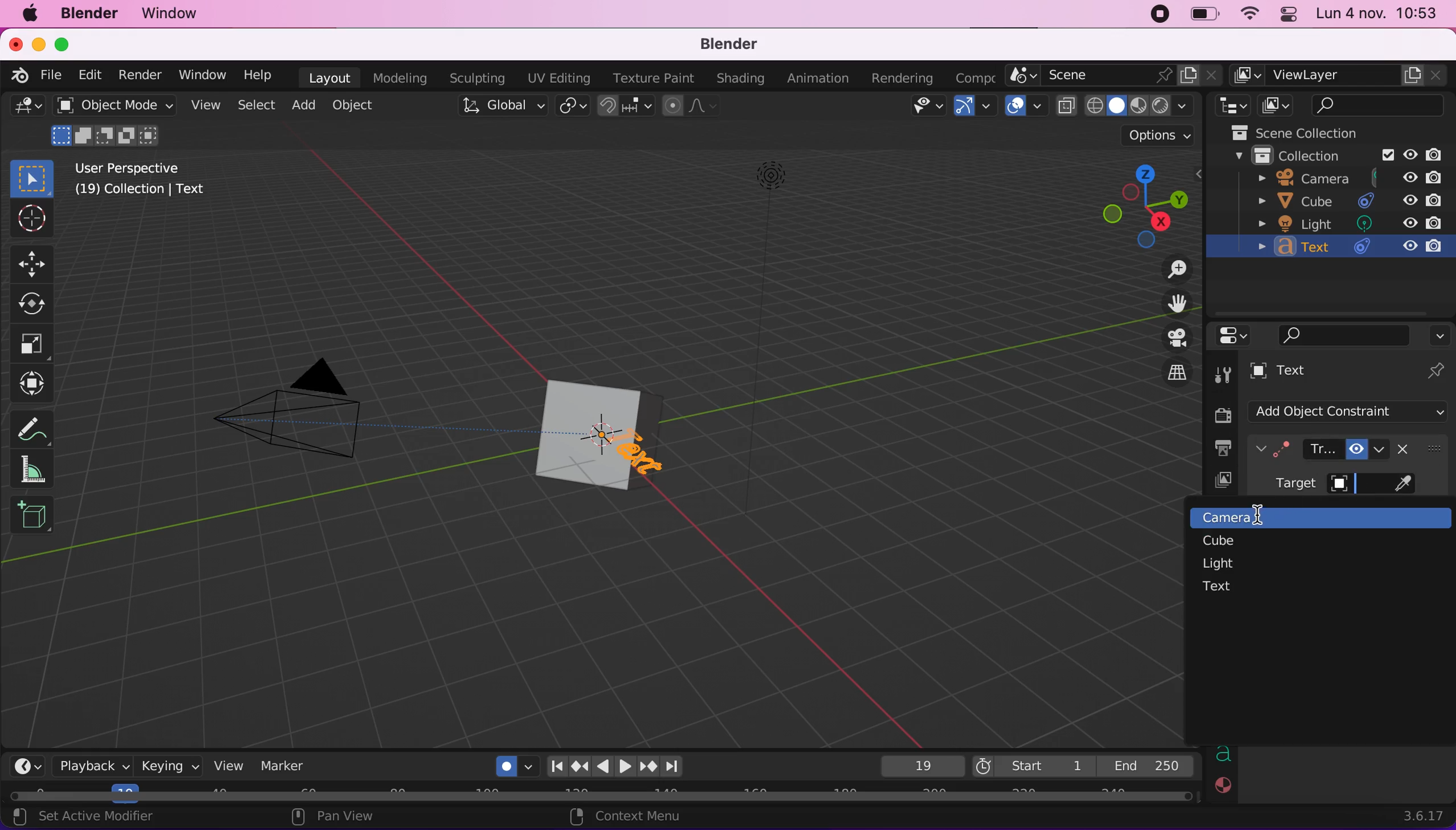 The width and height of the screenshot is (1456, 830). I want to click on annotate, so click(35, 428).